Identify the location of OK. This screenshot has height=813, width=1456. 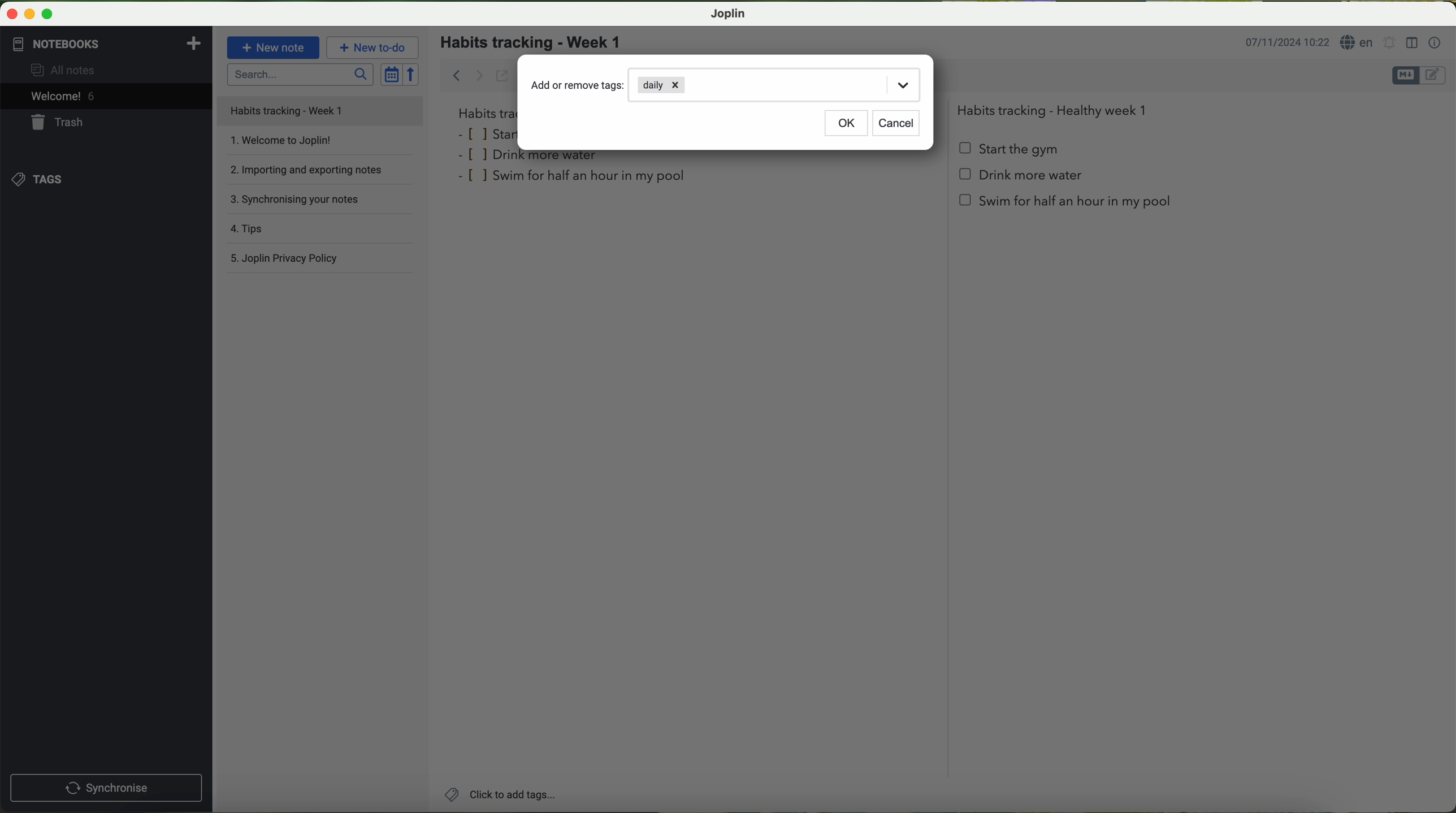
(847, 124).